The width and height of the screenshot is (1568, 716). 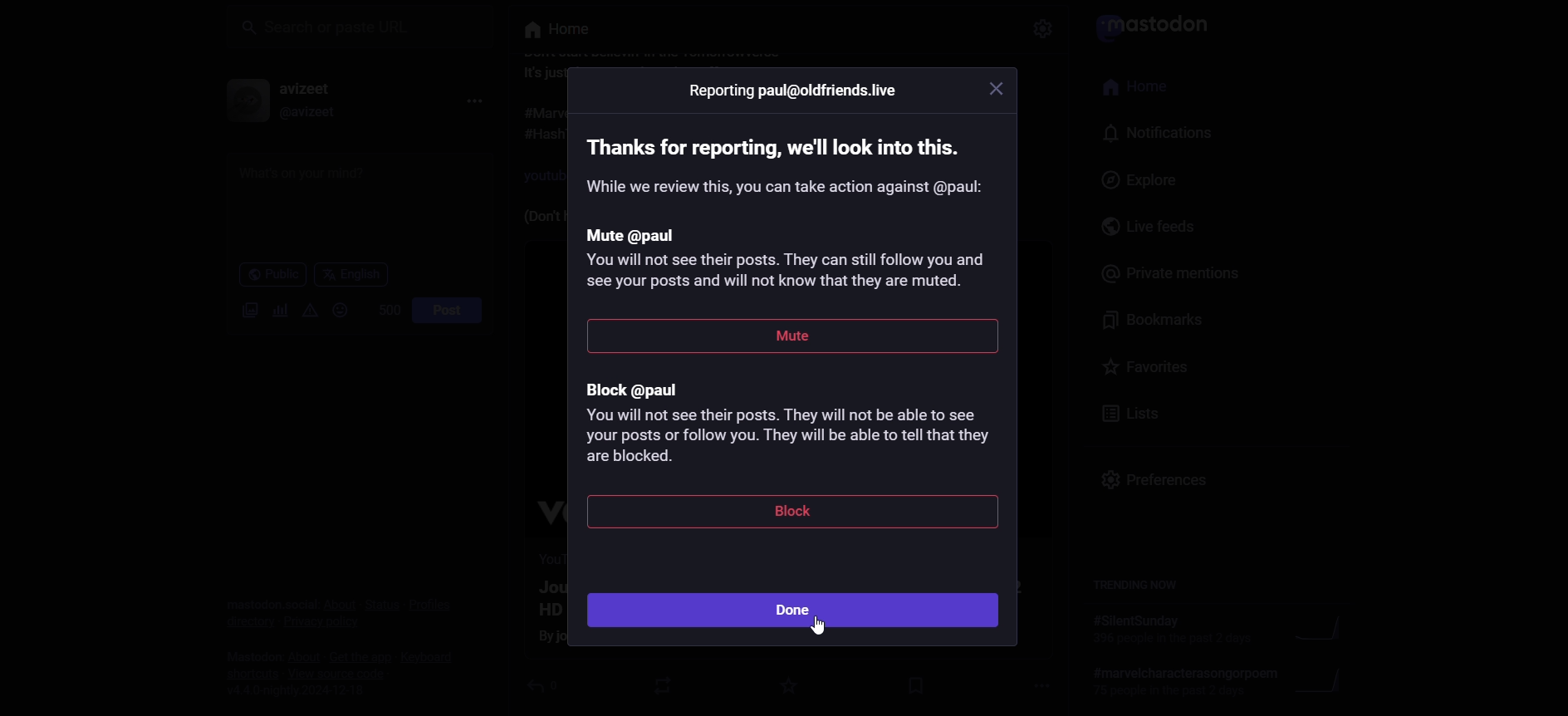 I want to click on , so click(x=1042, y=25).